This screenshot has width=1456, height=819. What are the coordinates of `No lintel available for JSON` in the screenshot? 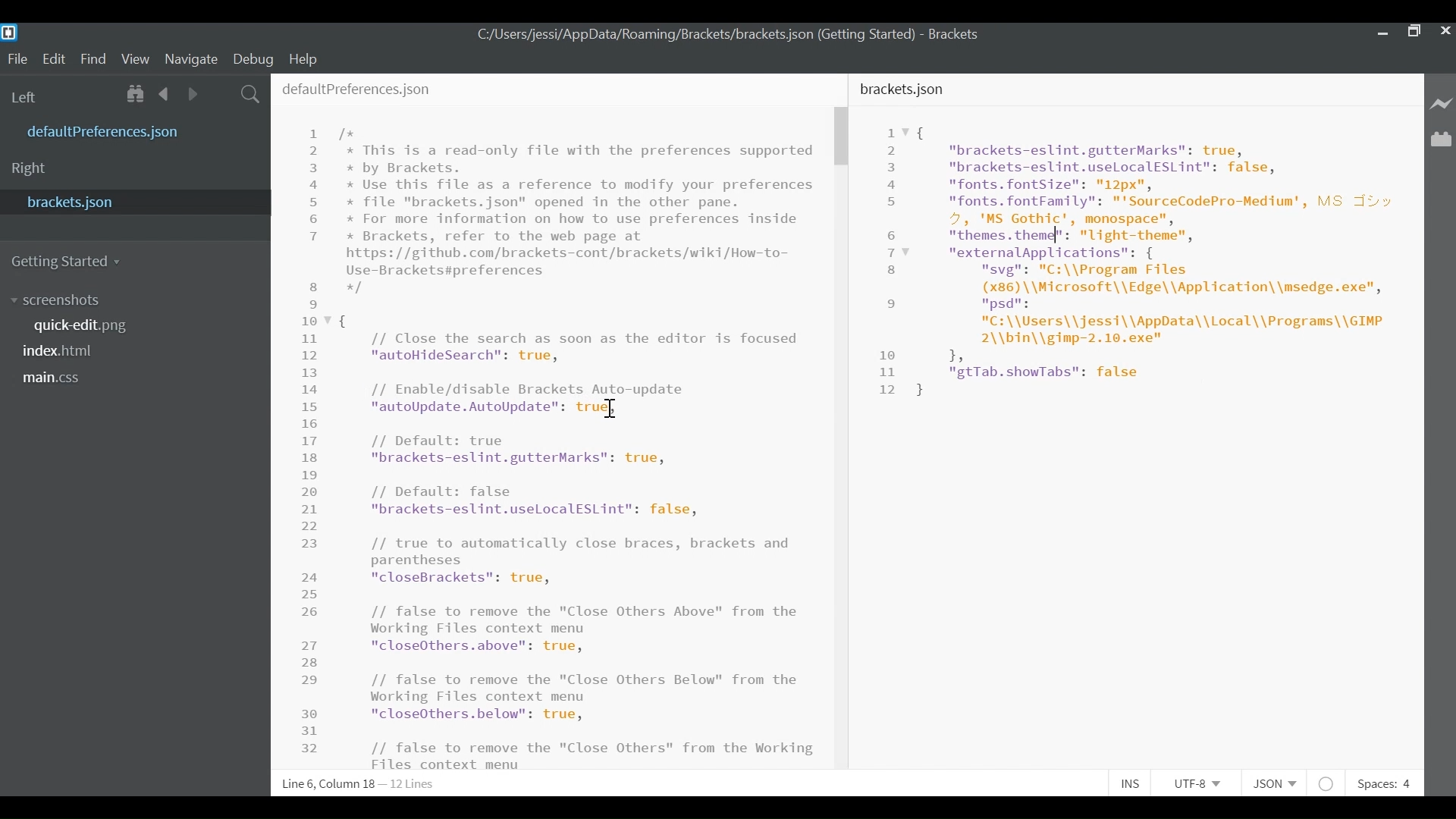 It's located at (1327, 783).